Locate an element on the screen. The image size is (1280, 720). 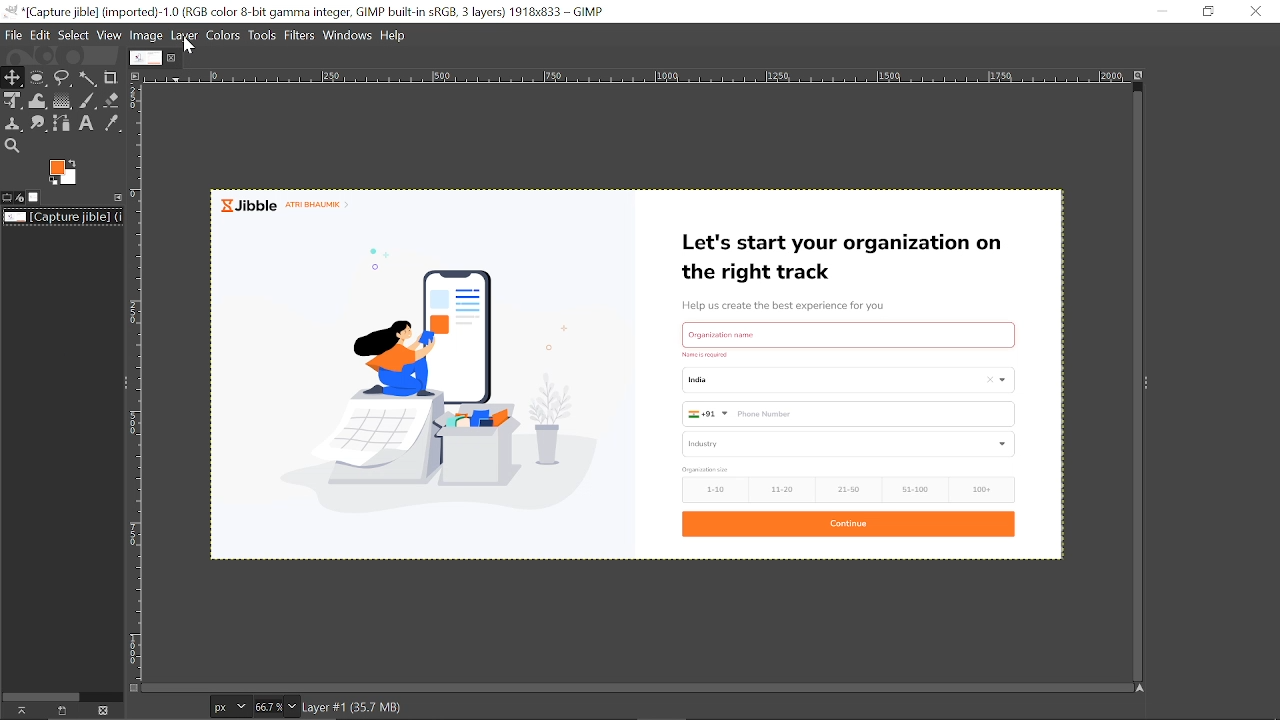
Current window is located at coordinates (317, 11).